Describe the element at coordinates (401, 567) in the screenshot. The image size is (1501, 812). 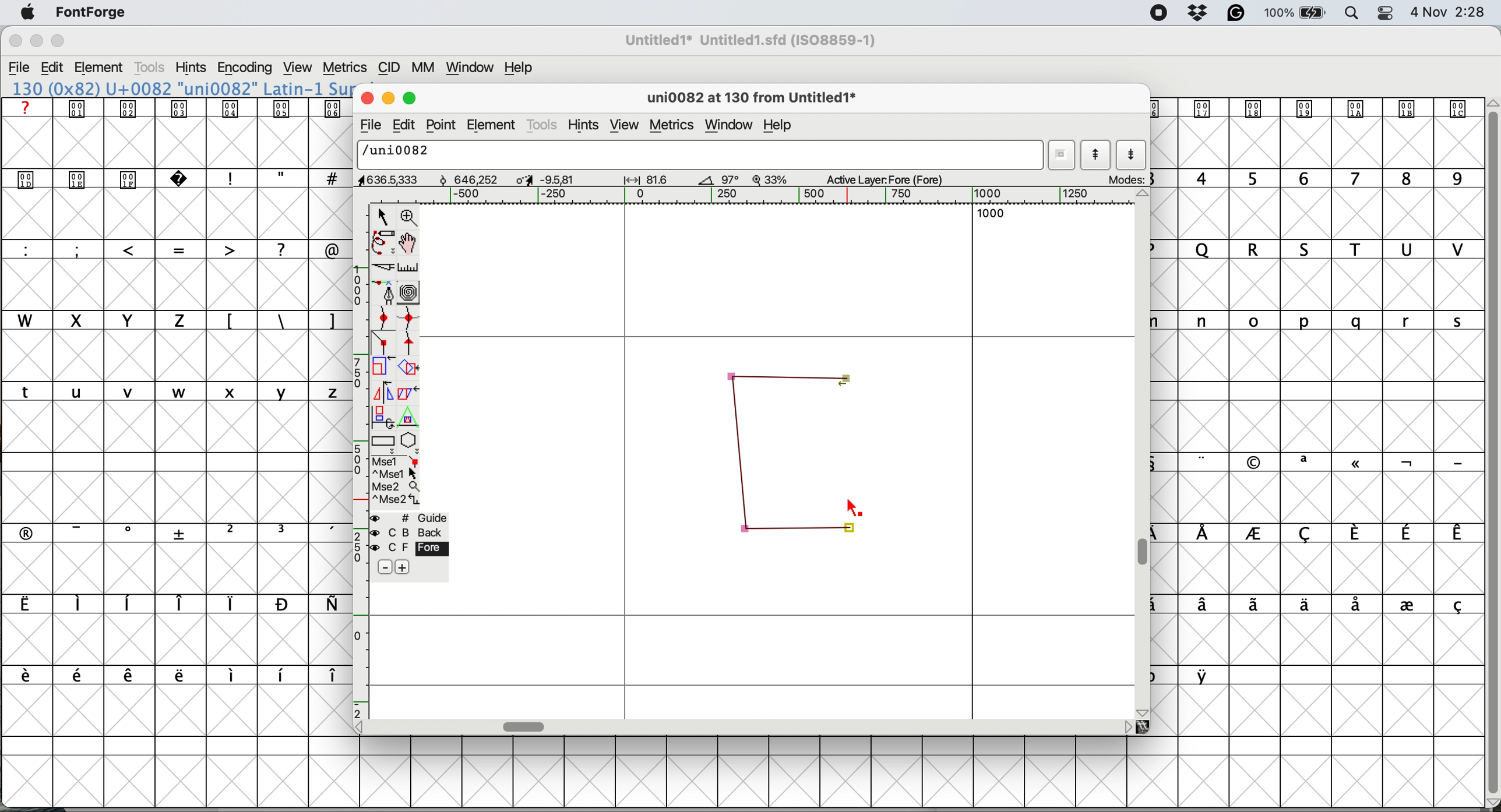
I see `add` at that location.